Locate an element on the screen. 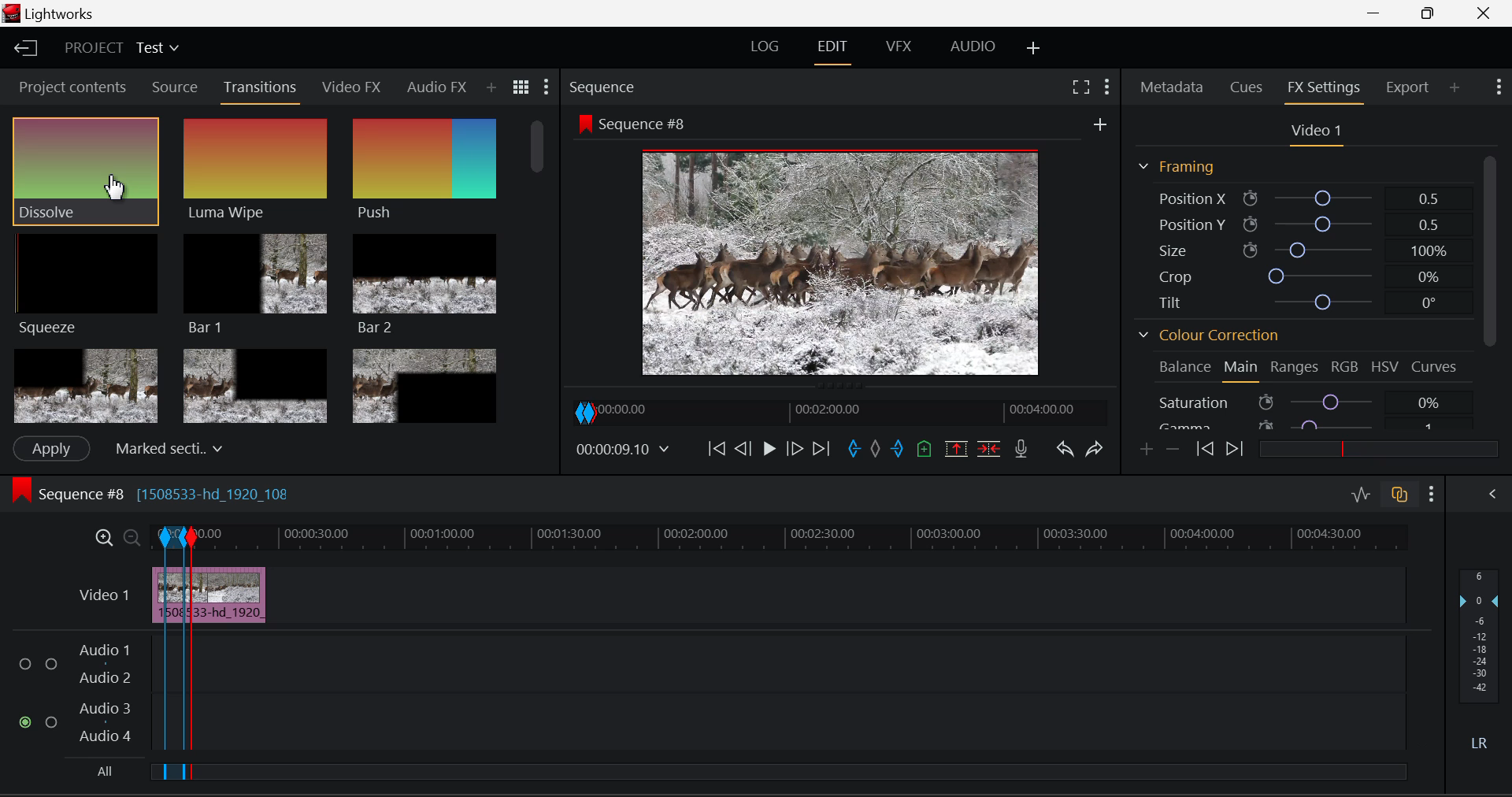  Add Panel is located at coordinates (491, 88).